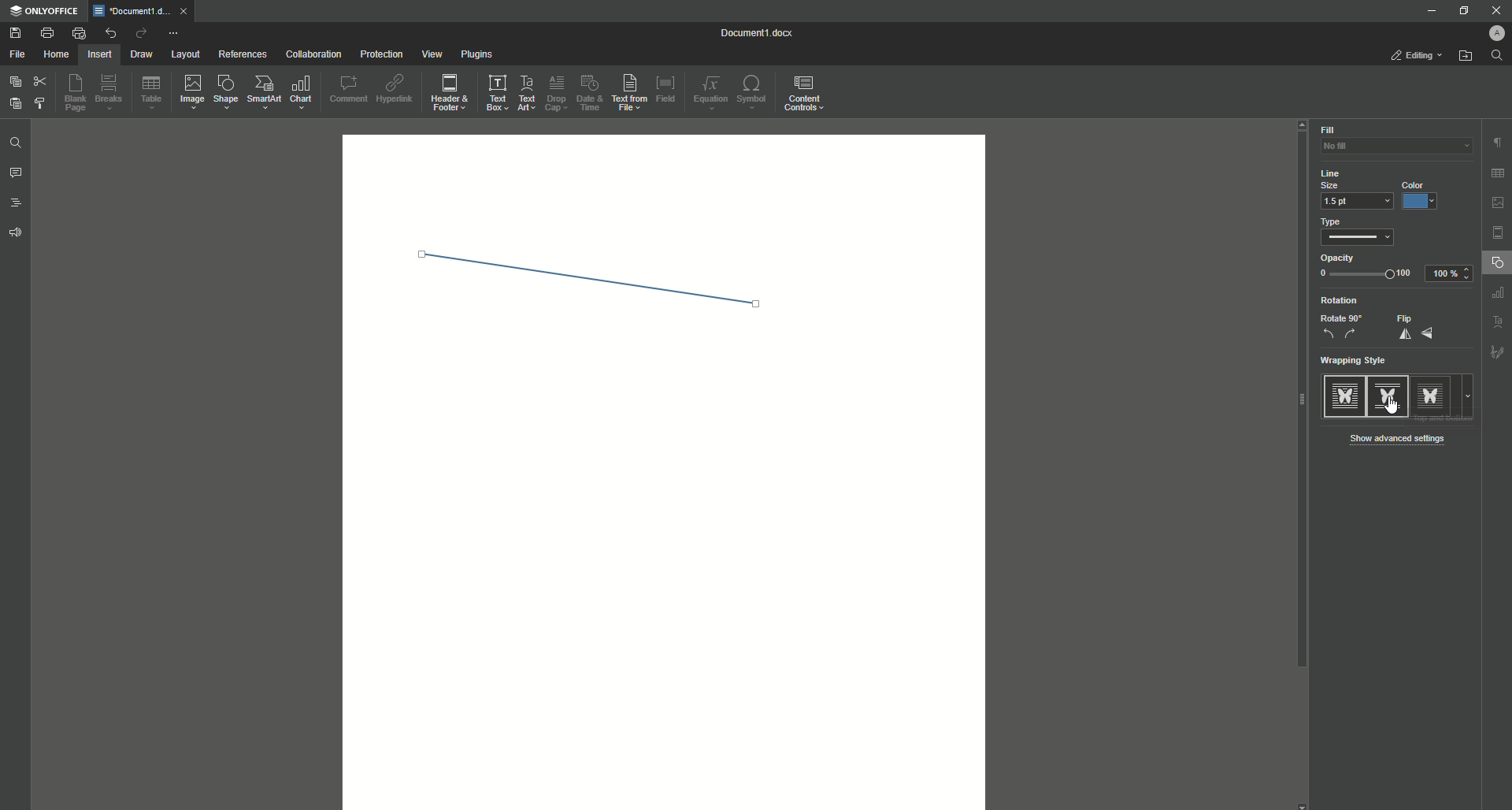 This screenshot has width=1512, height=810. I want to click on Choose Styling, so click(42, 105).